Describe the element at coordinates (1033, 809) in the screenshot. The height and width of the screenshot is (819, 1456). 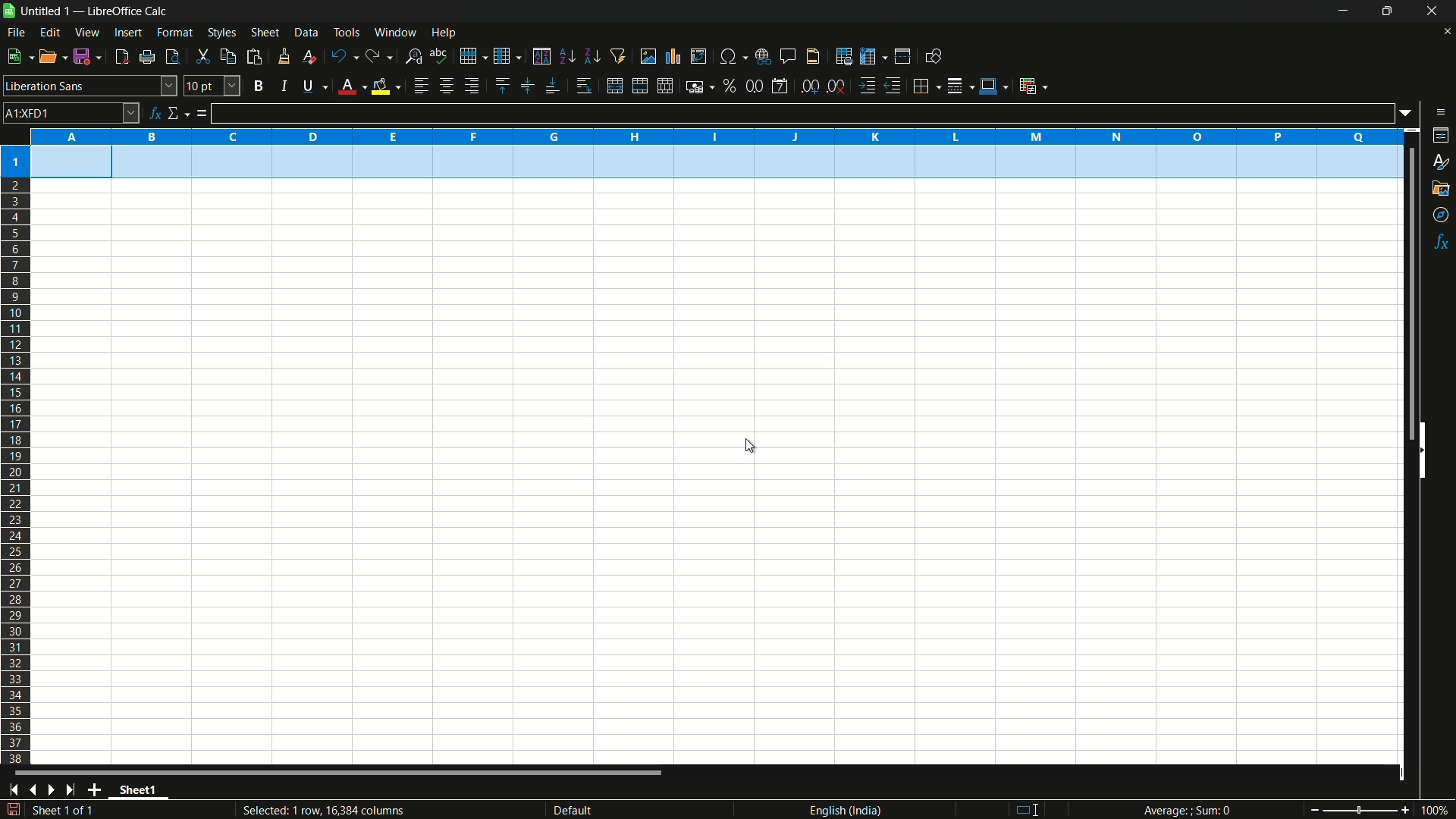
I see `standard selection` at that location.